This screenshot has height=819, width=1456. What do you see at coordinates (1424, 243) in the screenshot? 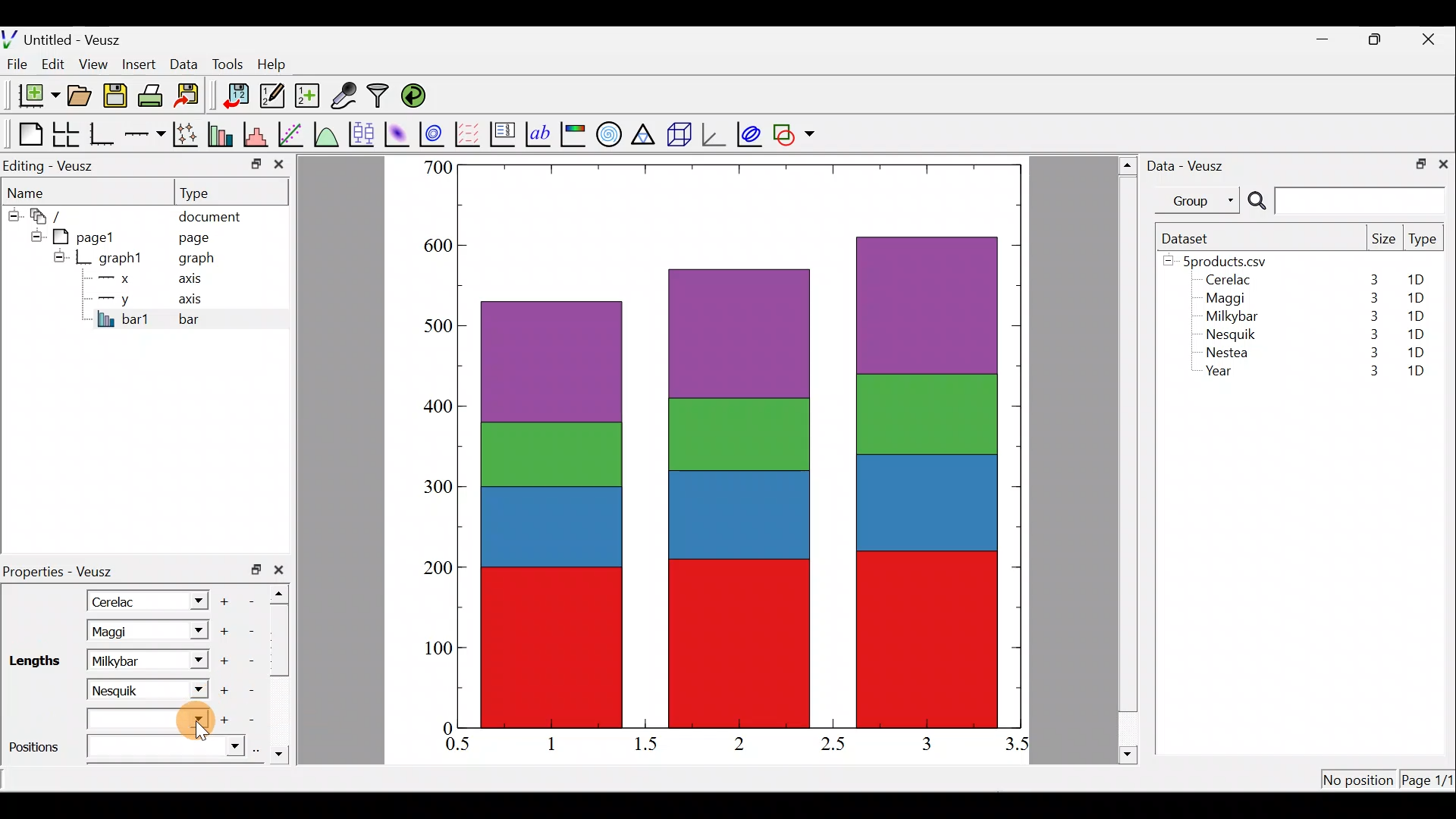
I see `Type` at bounding box center [1424, 243].